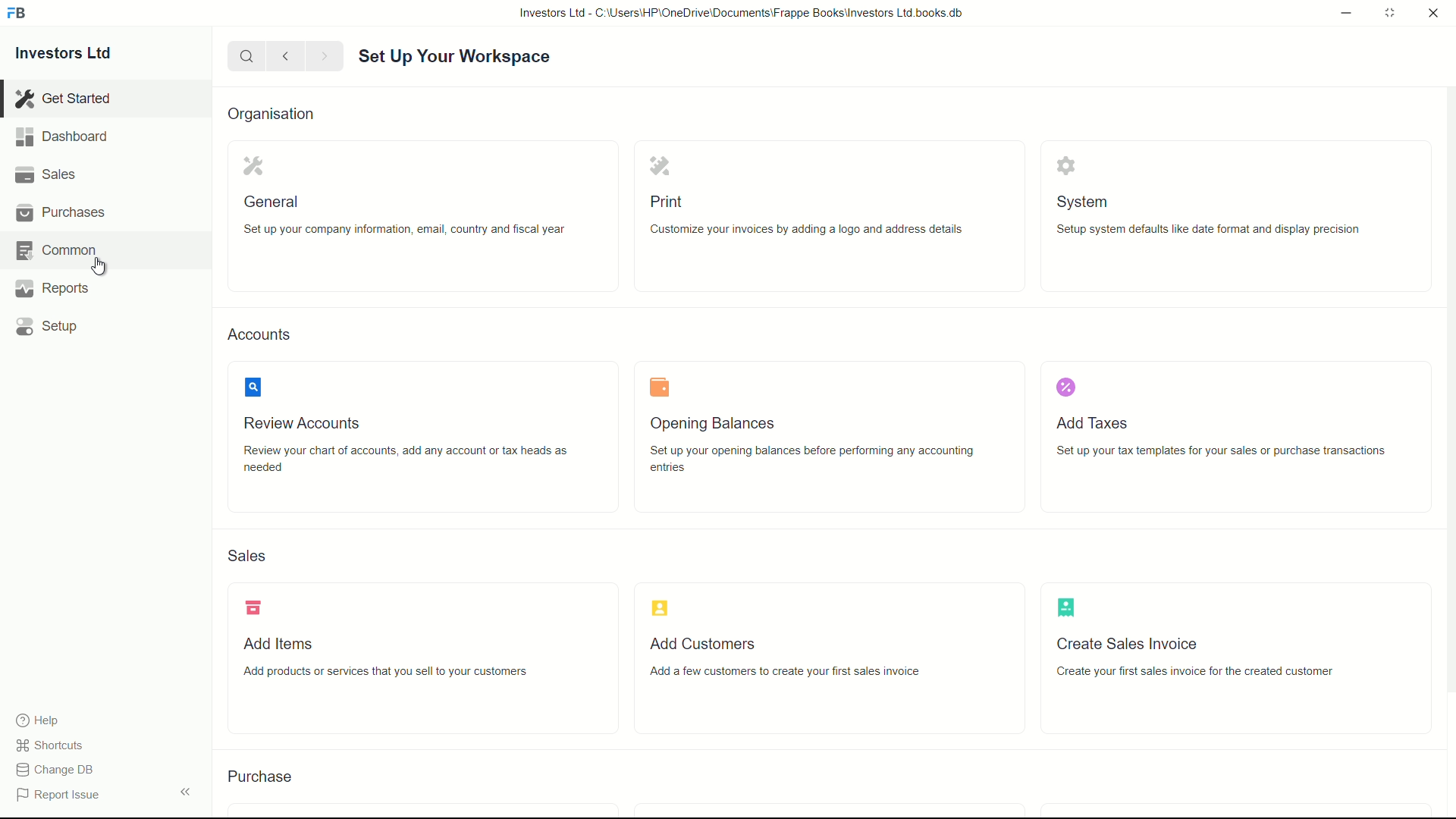  Describe the element at coordinates (657, 388) in the screenshot. I see `books icon` at that location.